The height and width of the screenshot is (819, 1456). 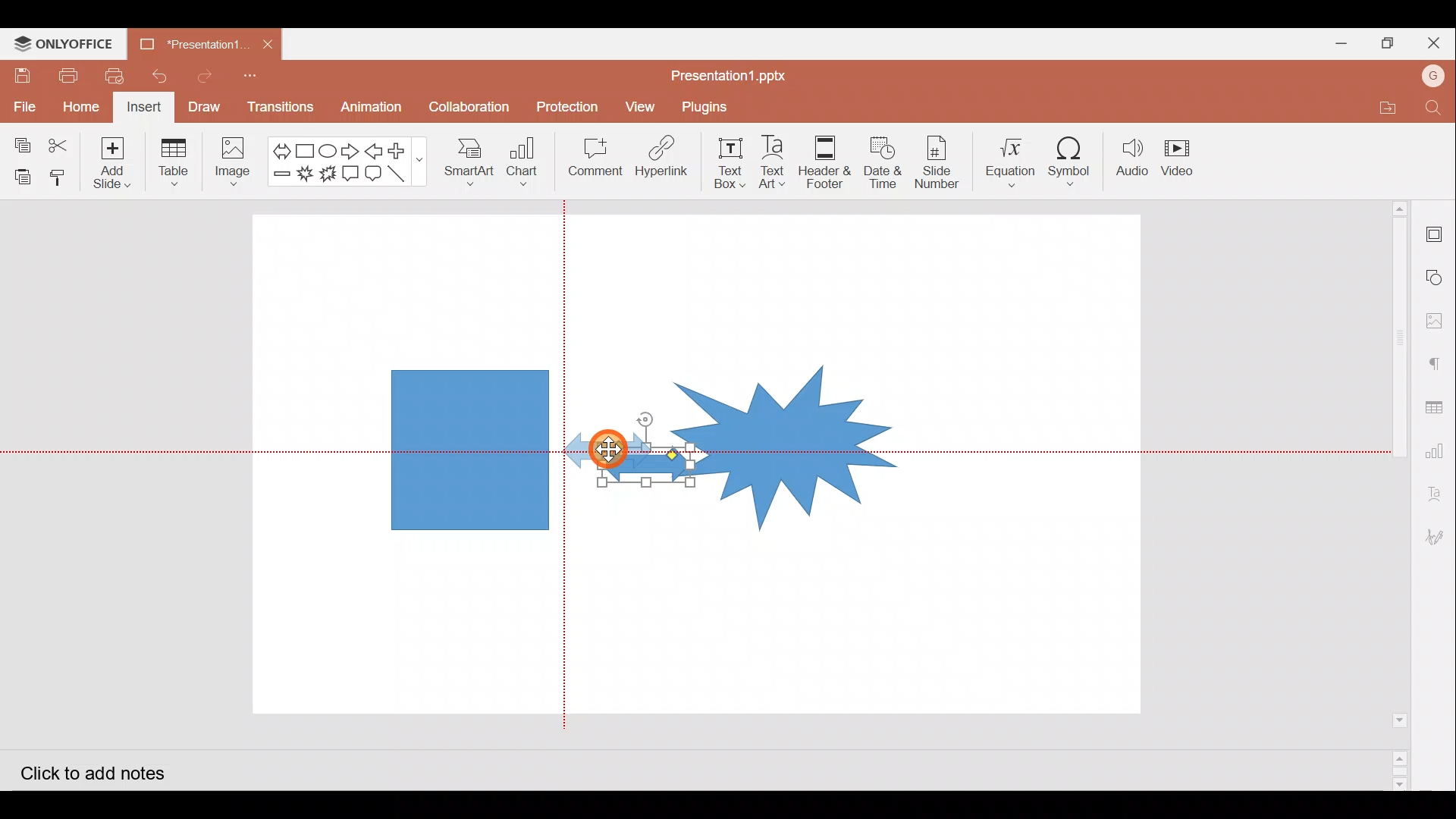 I want to click on Image settings, so click(x=1437, y=321).